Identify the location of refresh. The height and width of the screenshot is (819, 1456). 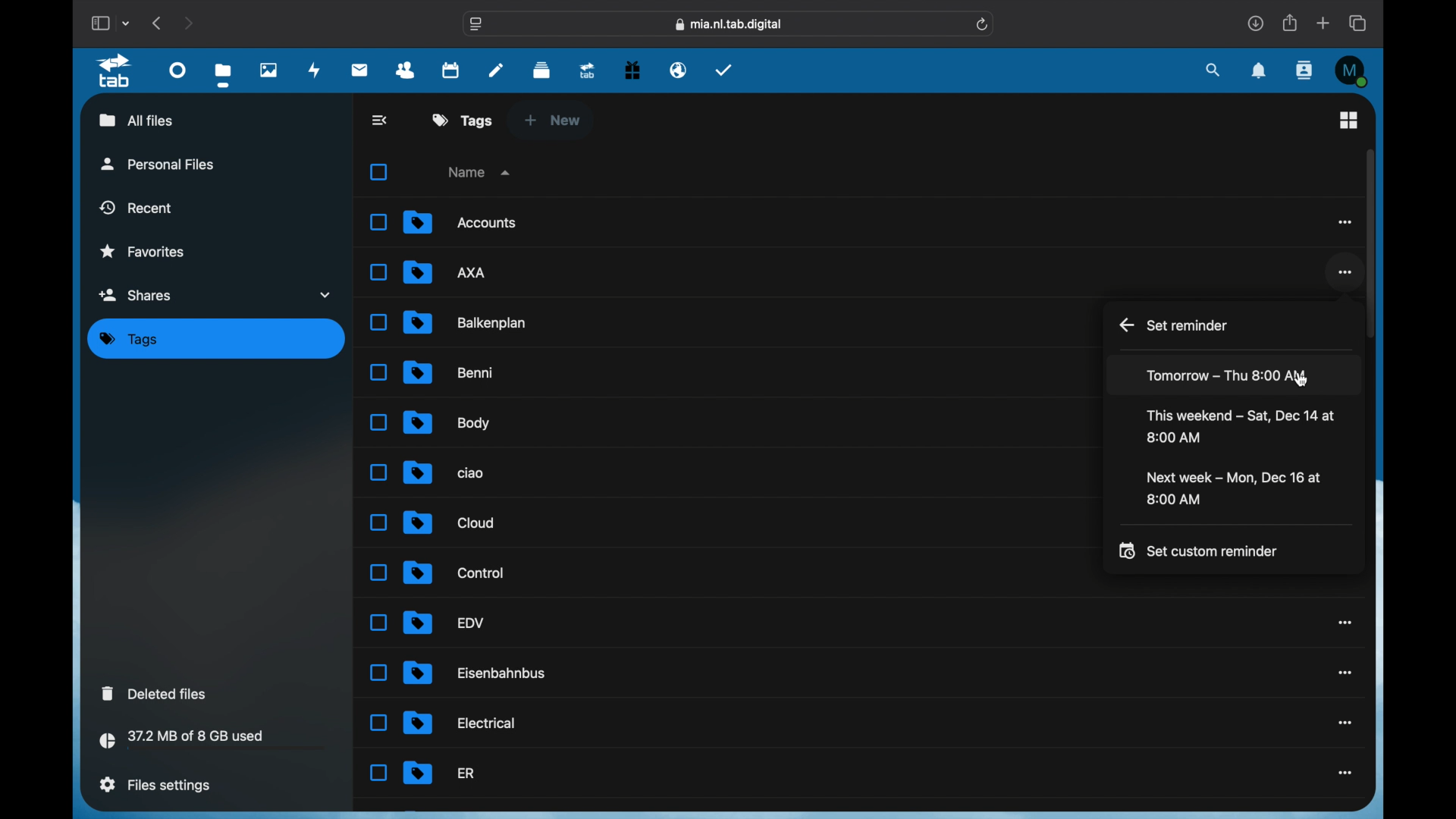
(983, 24).